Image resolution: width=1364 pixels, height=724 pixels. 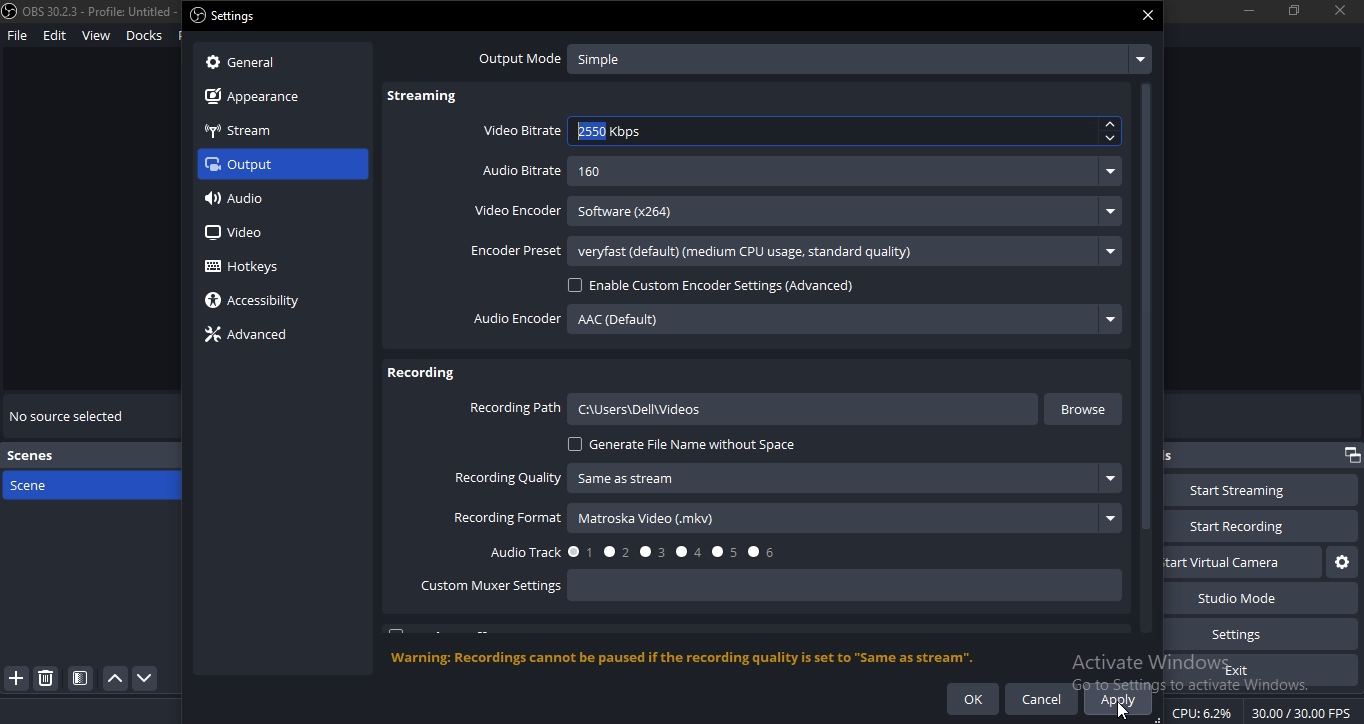 I want to click on cancel, so click(x=1041, y=699).